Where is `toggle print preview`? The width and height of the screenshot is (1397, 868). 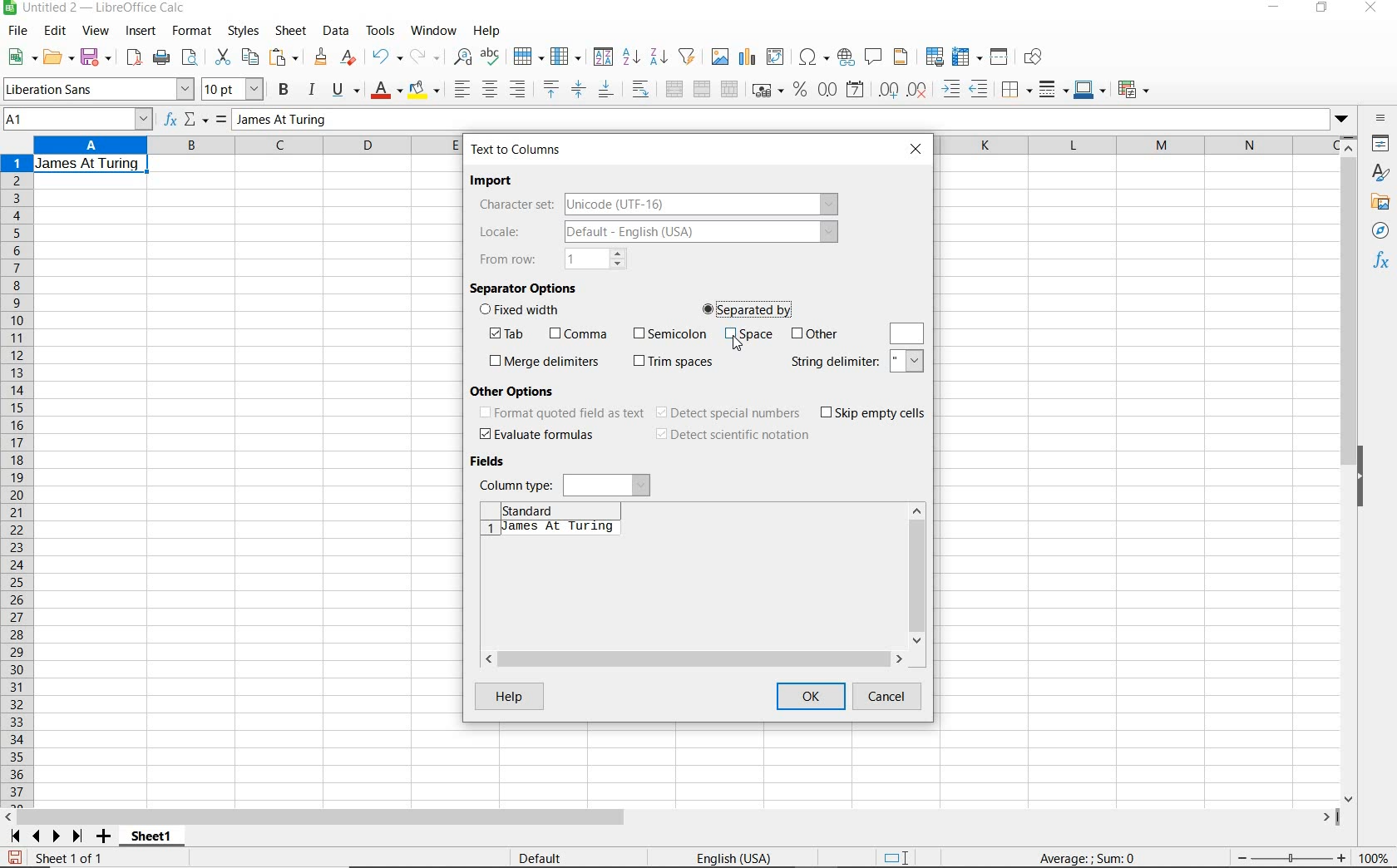 toggle print preview is located at coordinates (193, 59).